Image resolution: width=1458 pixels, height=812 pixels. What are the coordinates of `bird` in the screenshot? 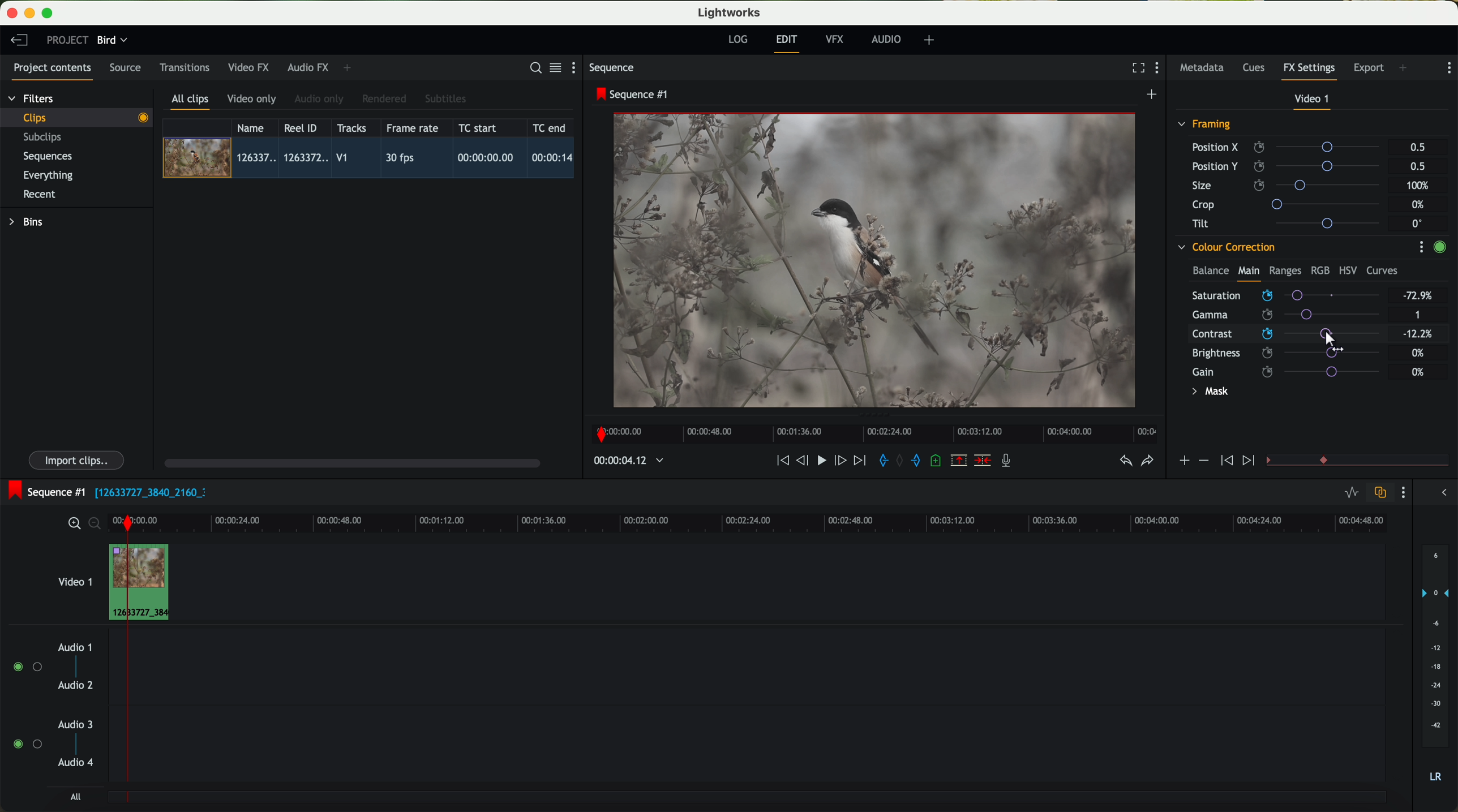 It's located at (112, 41).